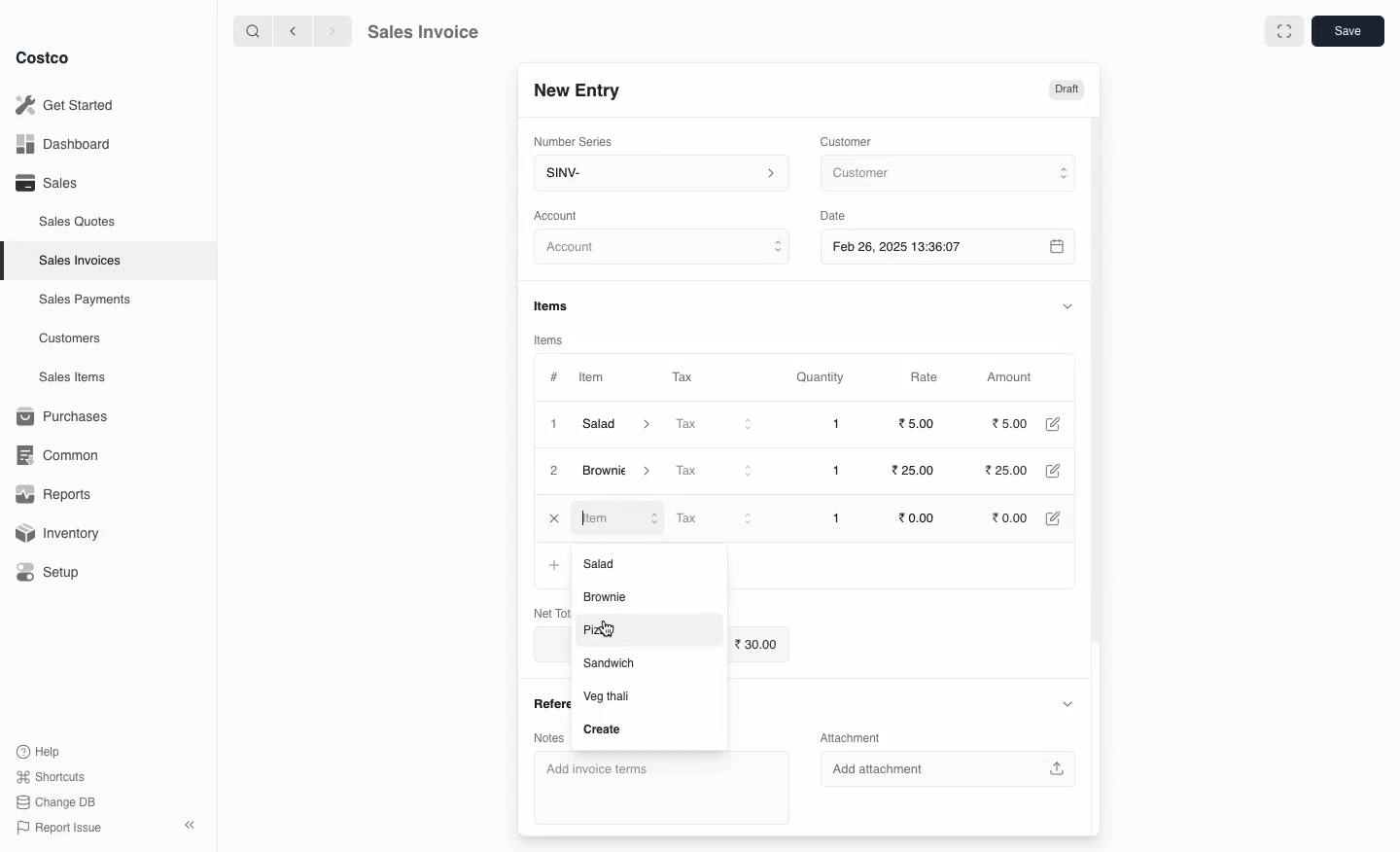  What do you see at coordinates (548, 736) in the screenshot?
I see `Notes` at bounding box center [548, 736].